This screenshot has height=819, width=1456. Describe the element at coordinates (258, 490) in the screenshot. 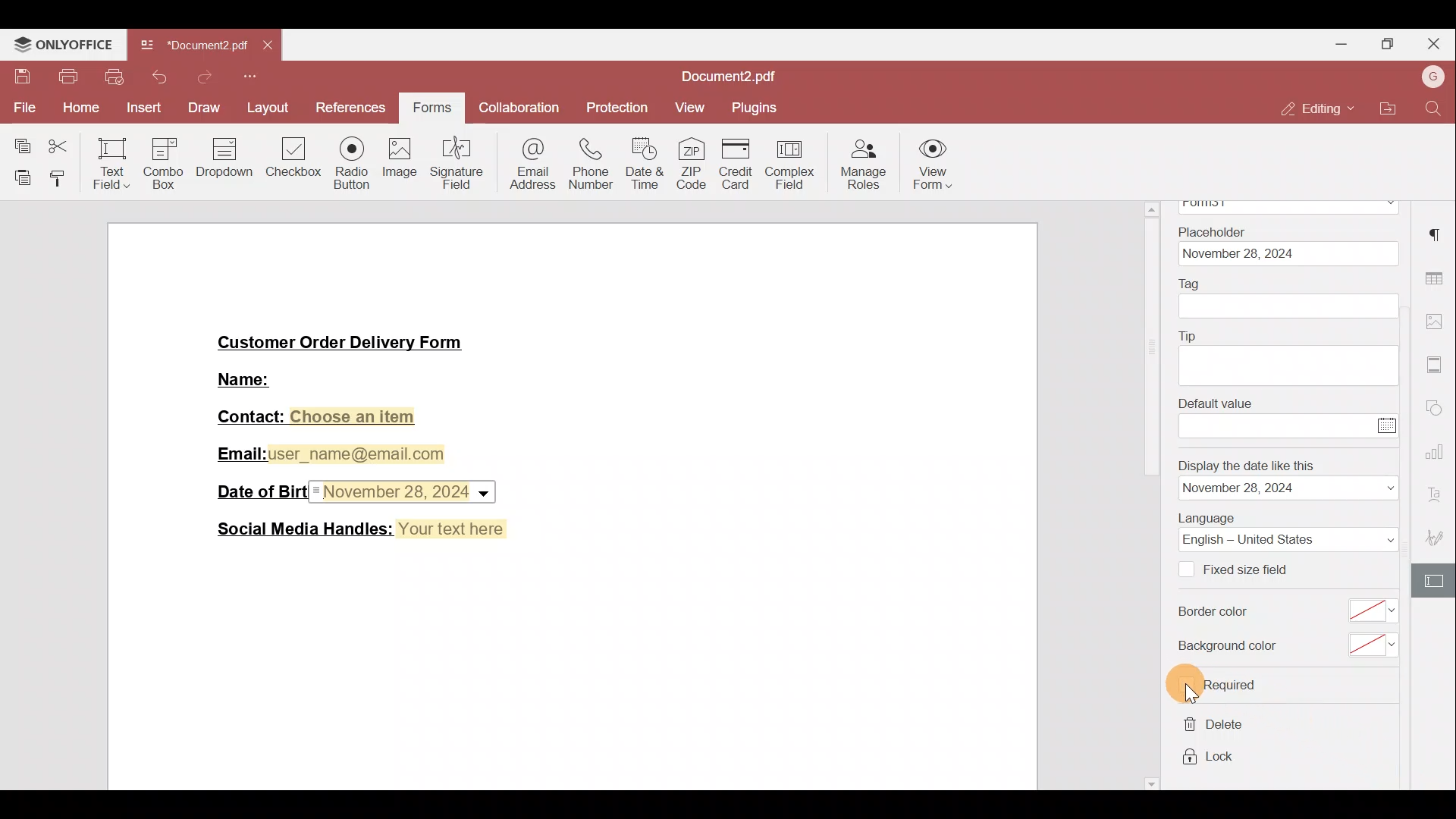

I see `Date of Birth:` at that location.